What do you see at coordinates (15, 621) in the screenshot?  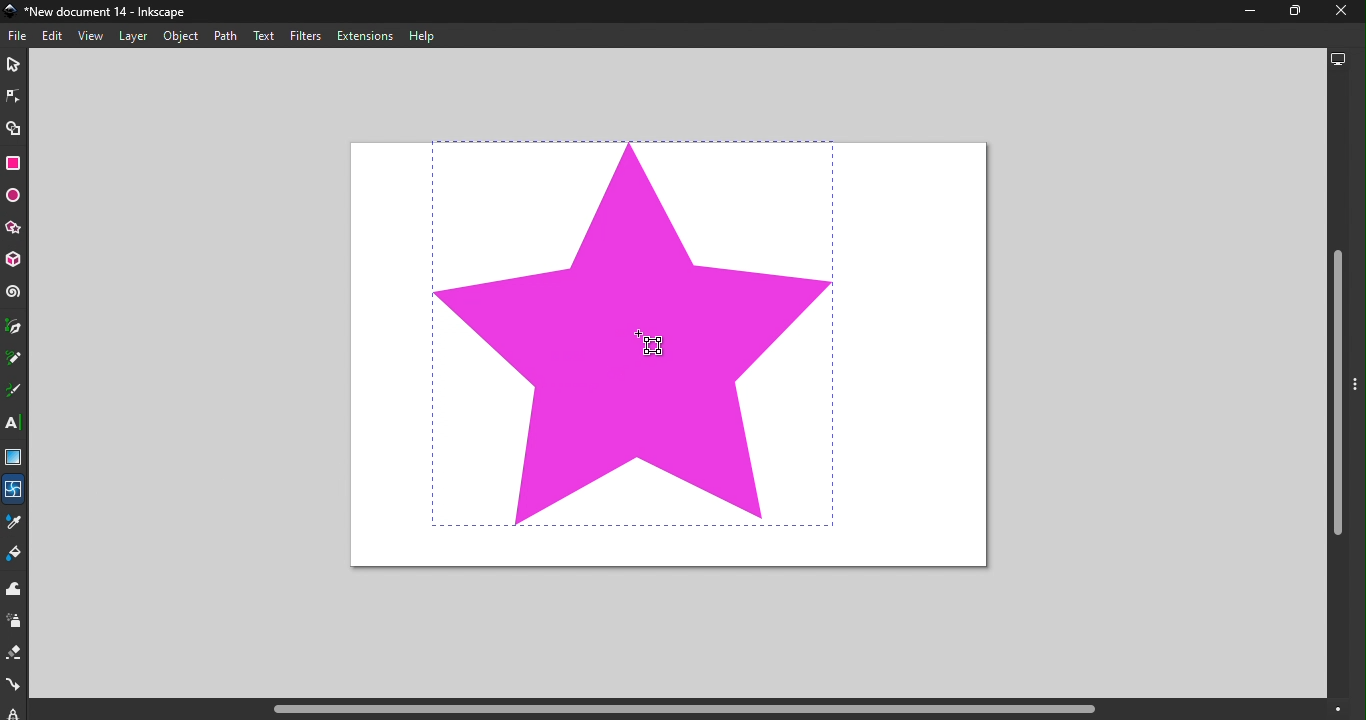 I see `Spray tool` at bounding box center [15, 621].